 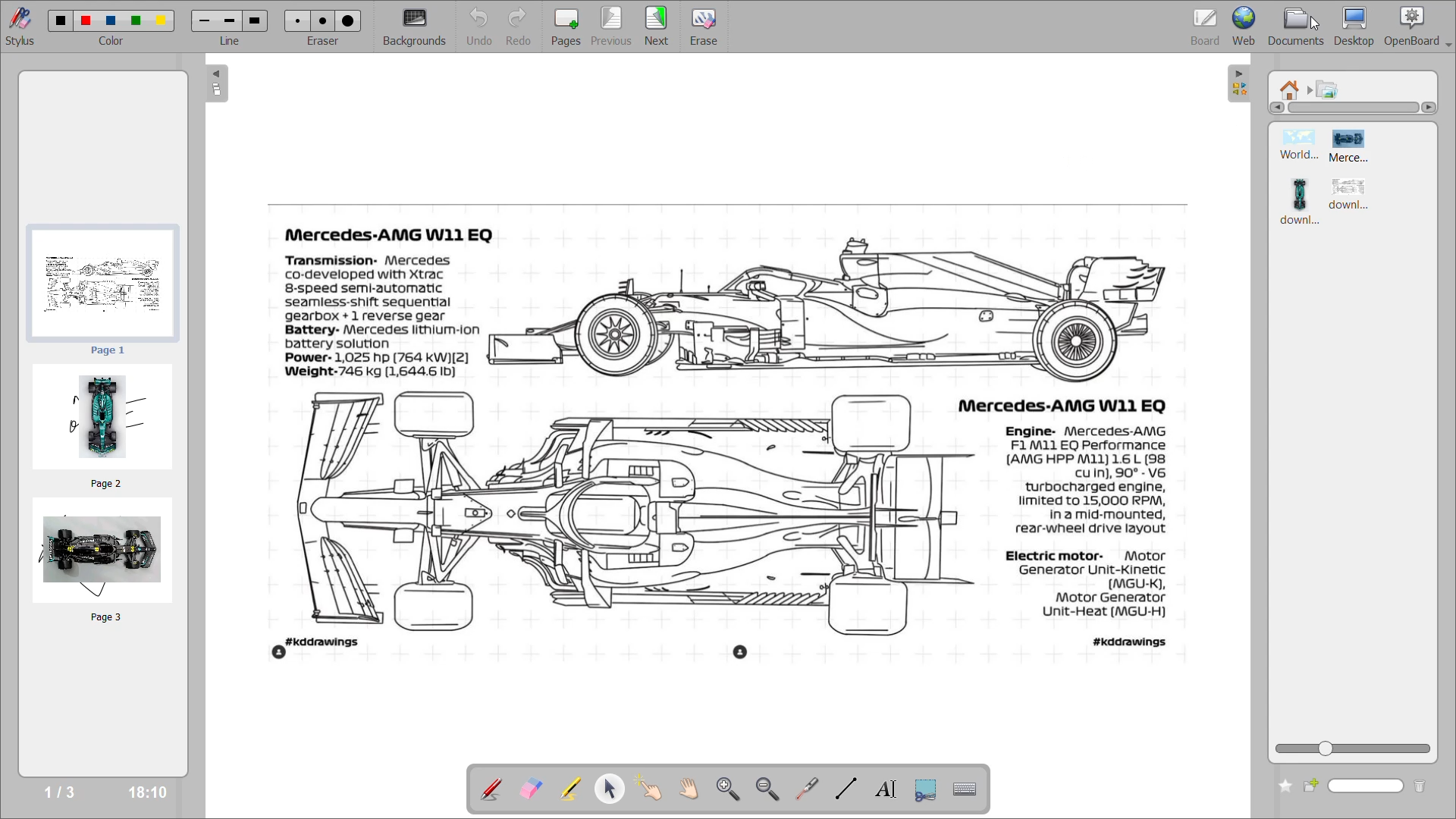 I want to click on backgrounds, so click(x=415, y=24).